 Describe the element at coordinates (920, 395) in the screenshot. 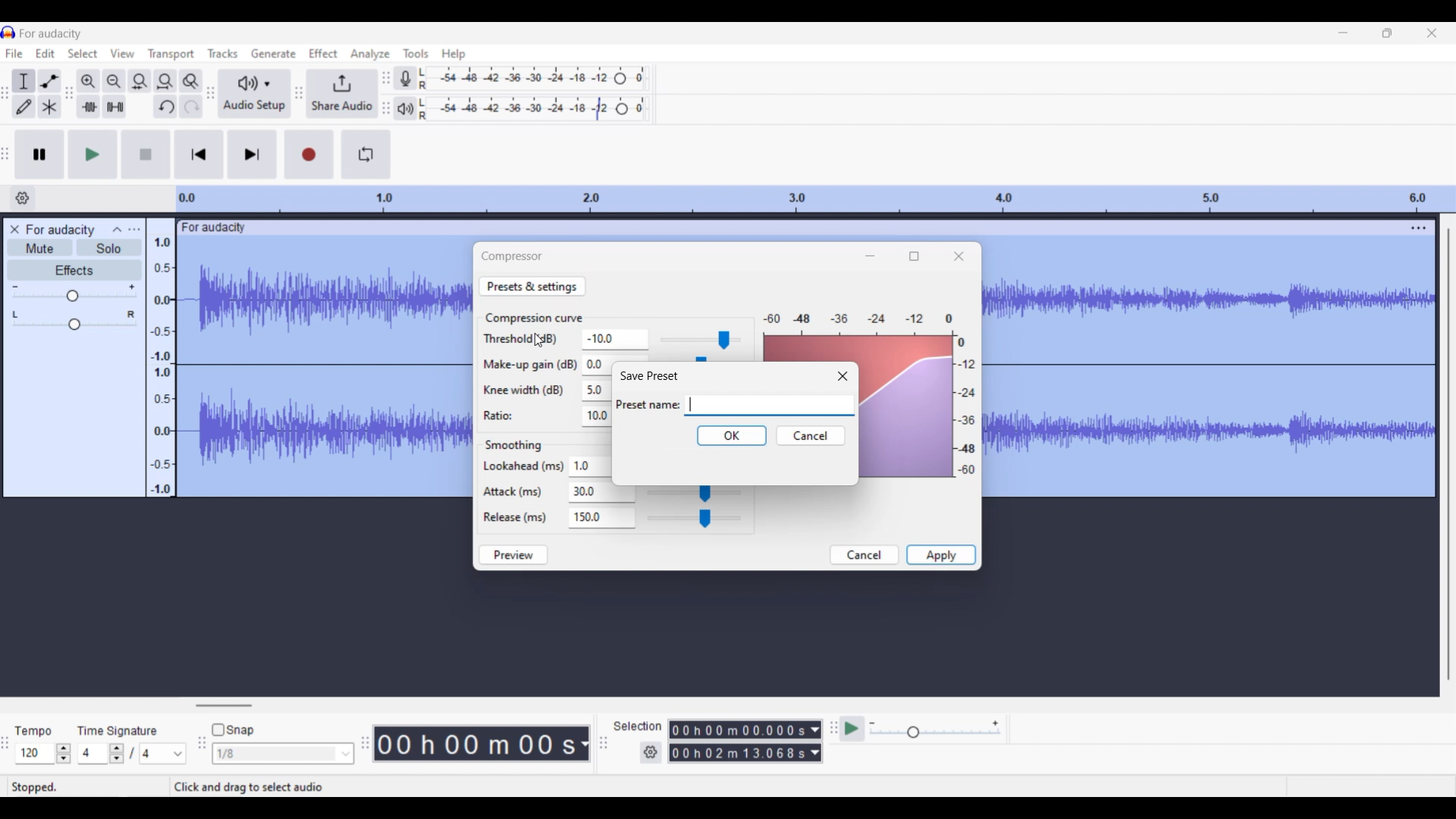

I see `Current output ` at that location.